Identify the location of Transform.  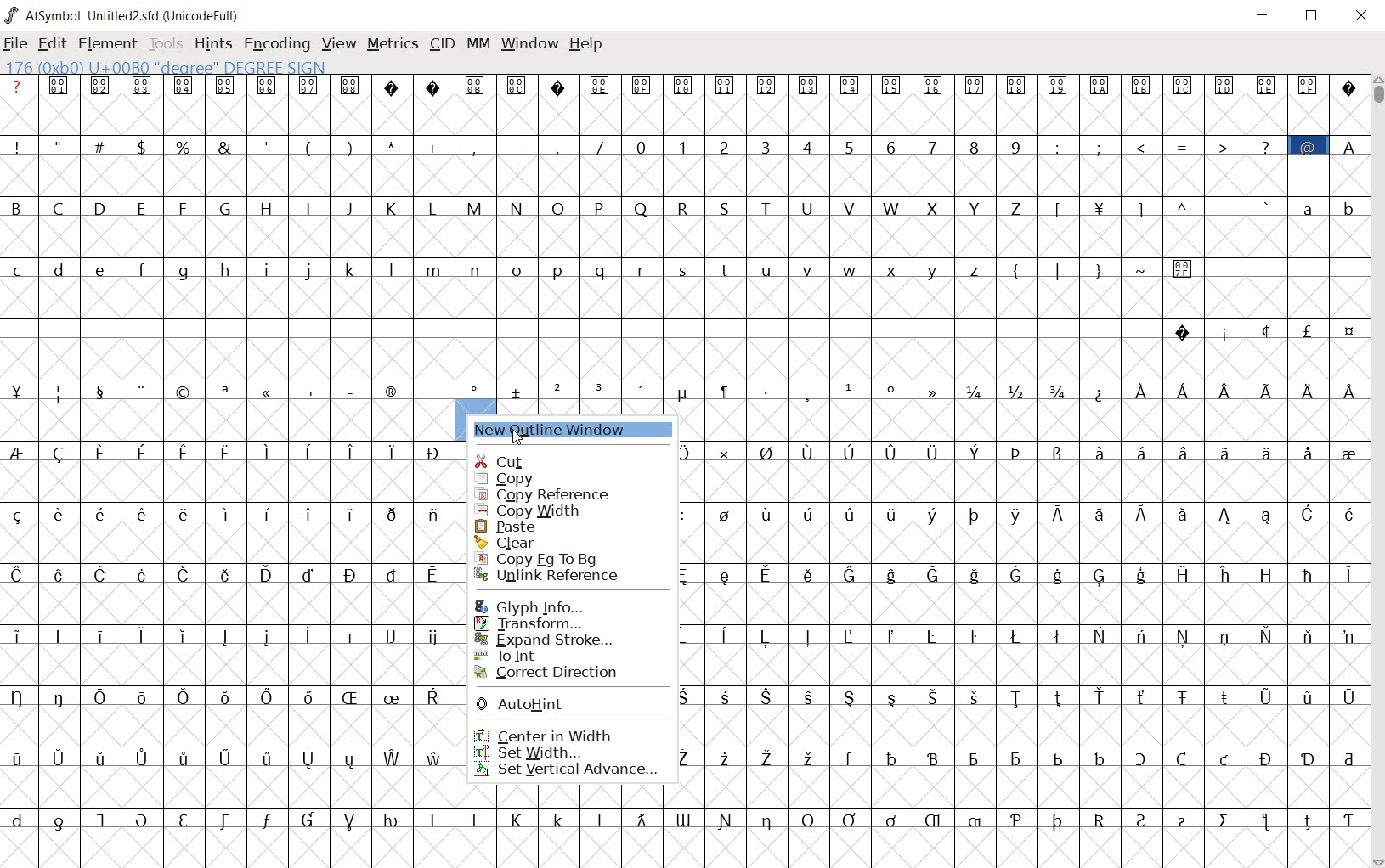
(568, 623).